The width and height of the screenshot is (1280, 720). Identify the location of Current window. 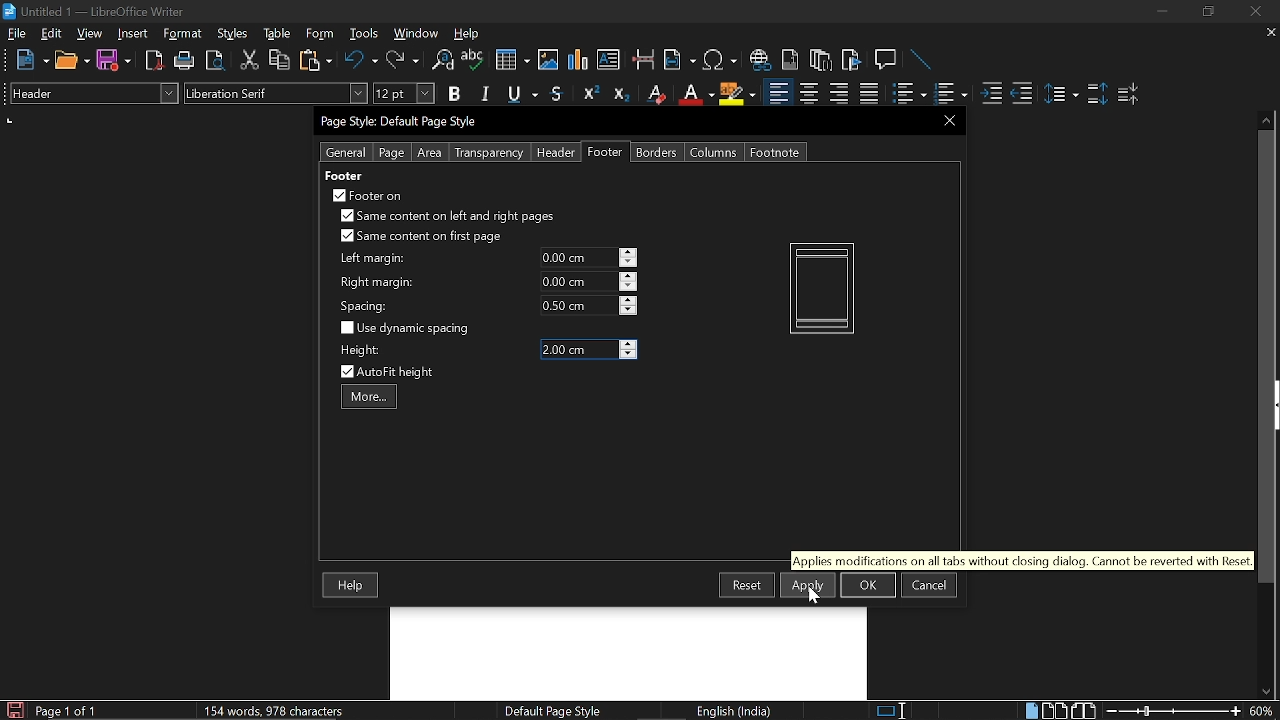
(402, 122).